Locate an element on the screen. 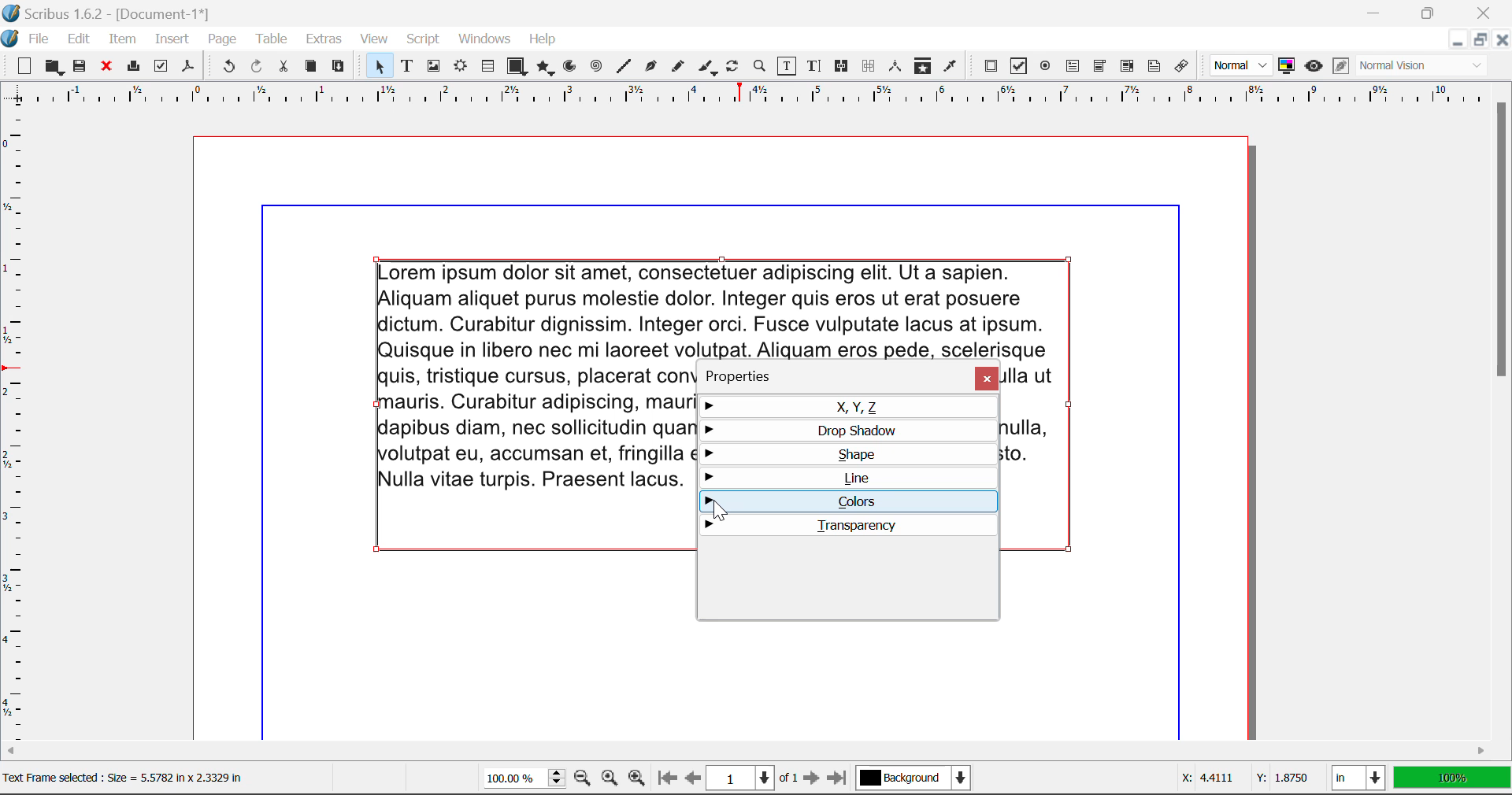 This screenshot has width=1512, height=795. Restore Down is located at coordinates (1456, 40).